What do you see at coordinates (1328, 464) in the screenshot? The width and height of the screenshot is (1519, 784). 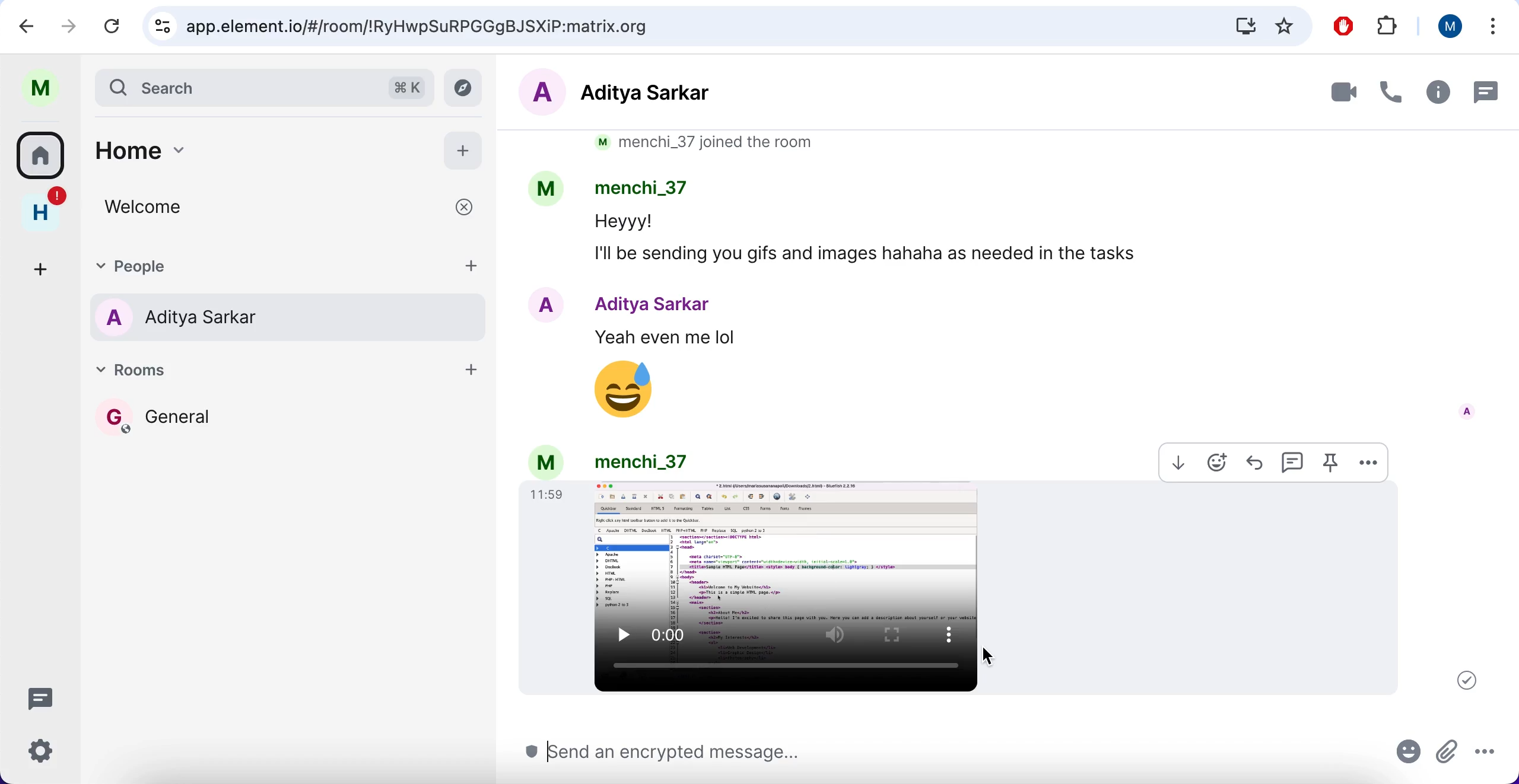 I see `pin` at bounding box center [1328, 464].